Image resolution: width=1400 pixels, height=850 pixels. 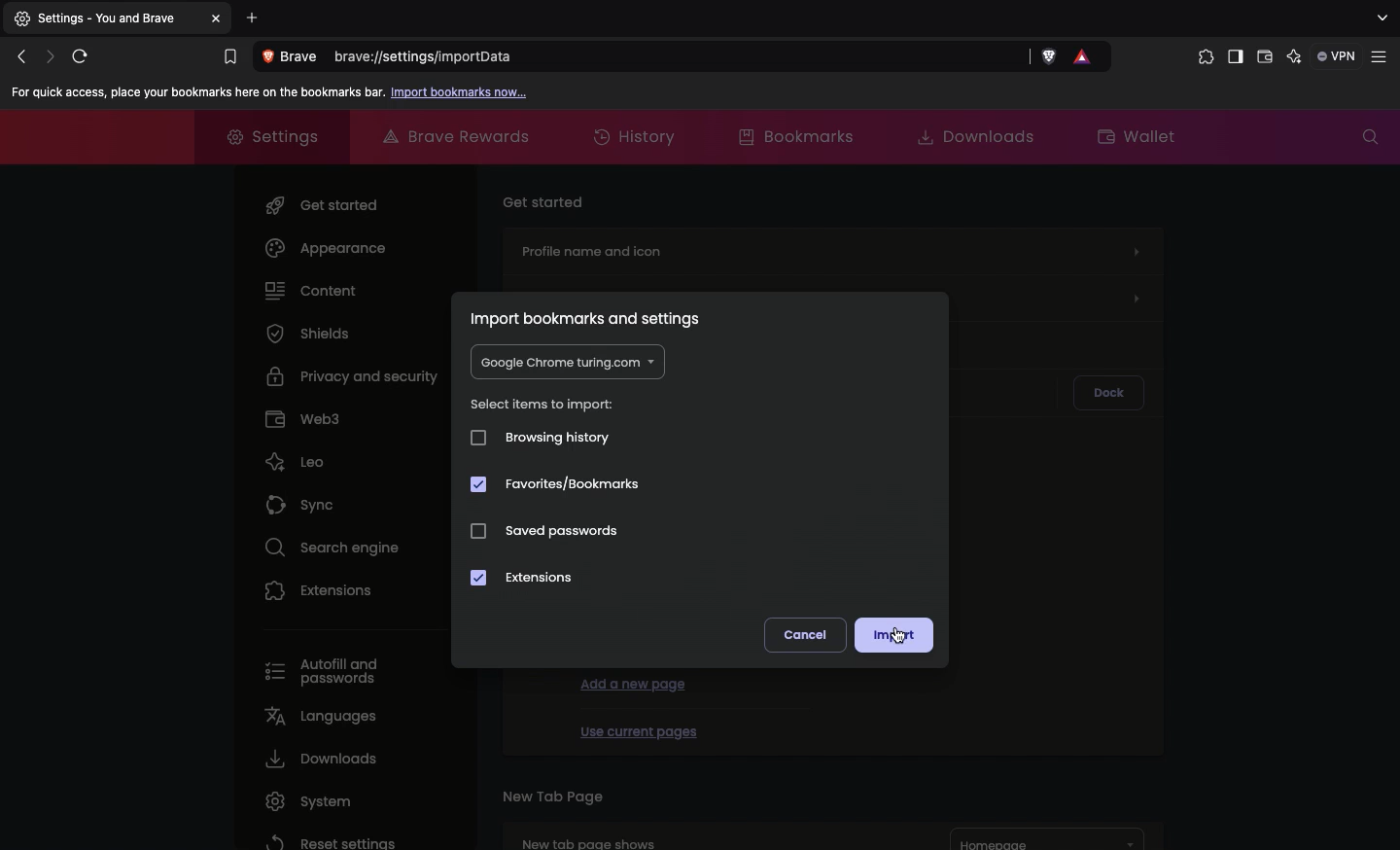 I want to click on Reload this page, so click(x=85, y=55).